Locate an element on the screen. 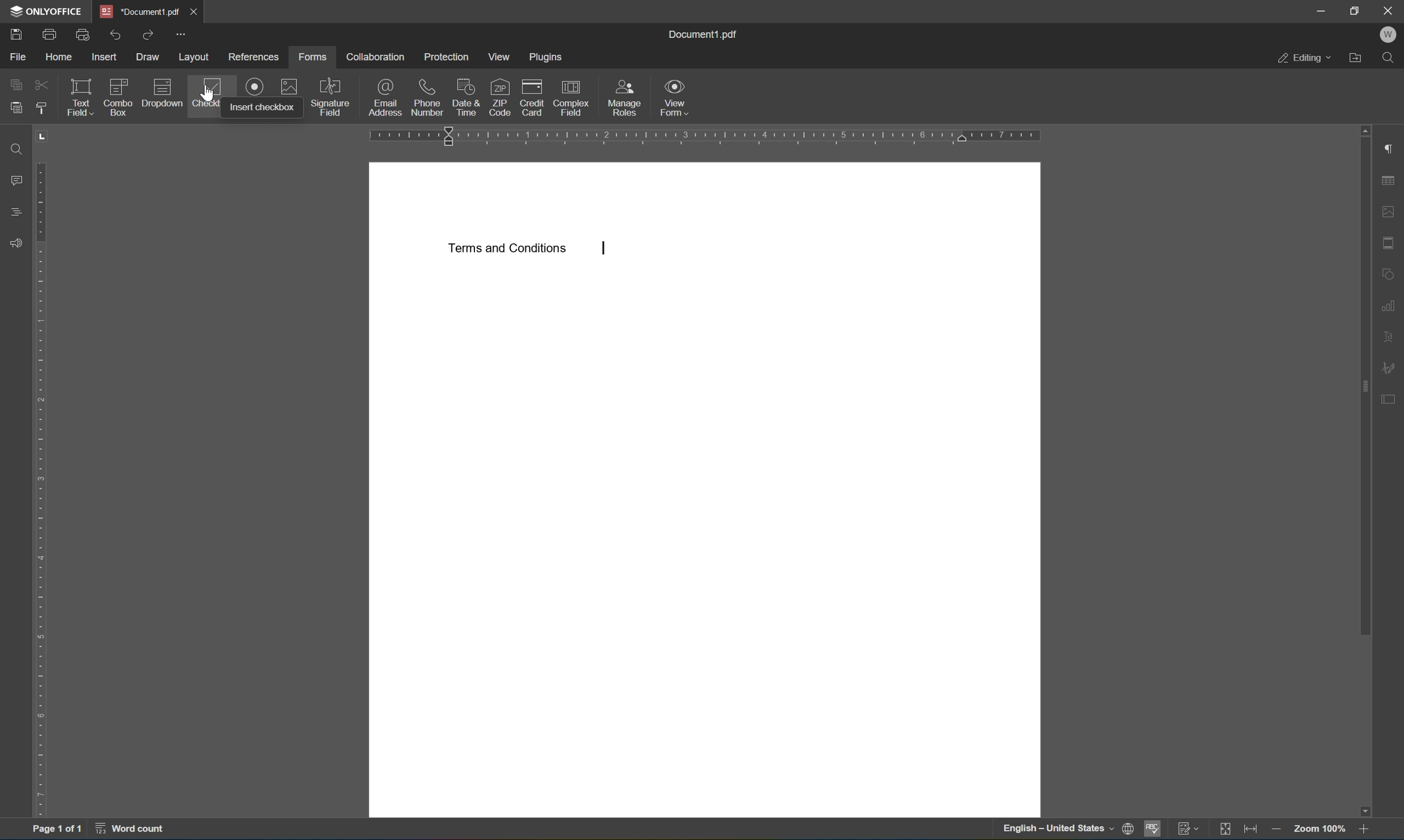 Image resolution: width=1404 pixels, height=840 pixels. ruler is located at coordinates (710, 134).